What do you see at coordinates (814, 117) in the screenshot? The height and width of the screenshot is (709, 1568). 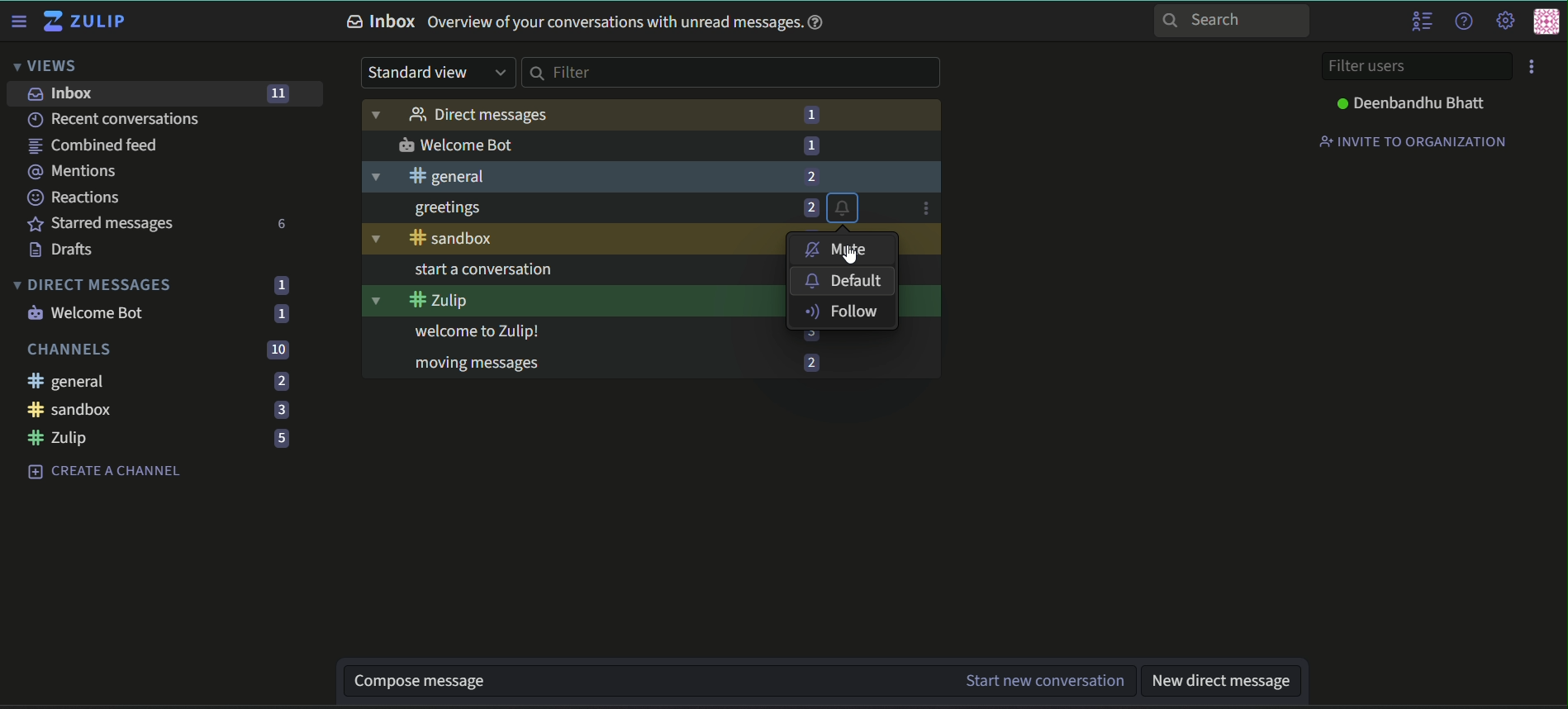 I see `number` at bounding box center [814, 117].